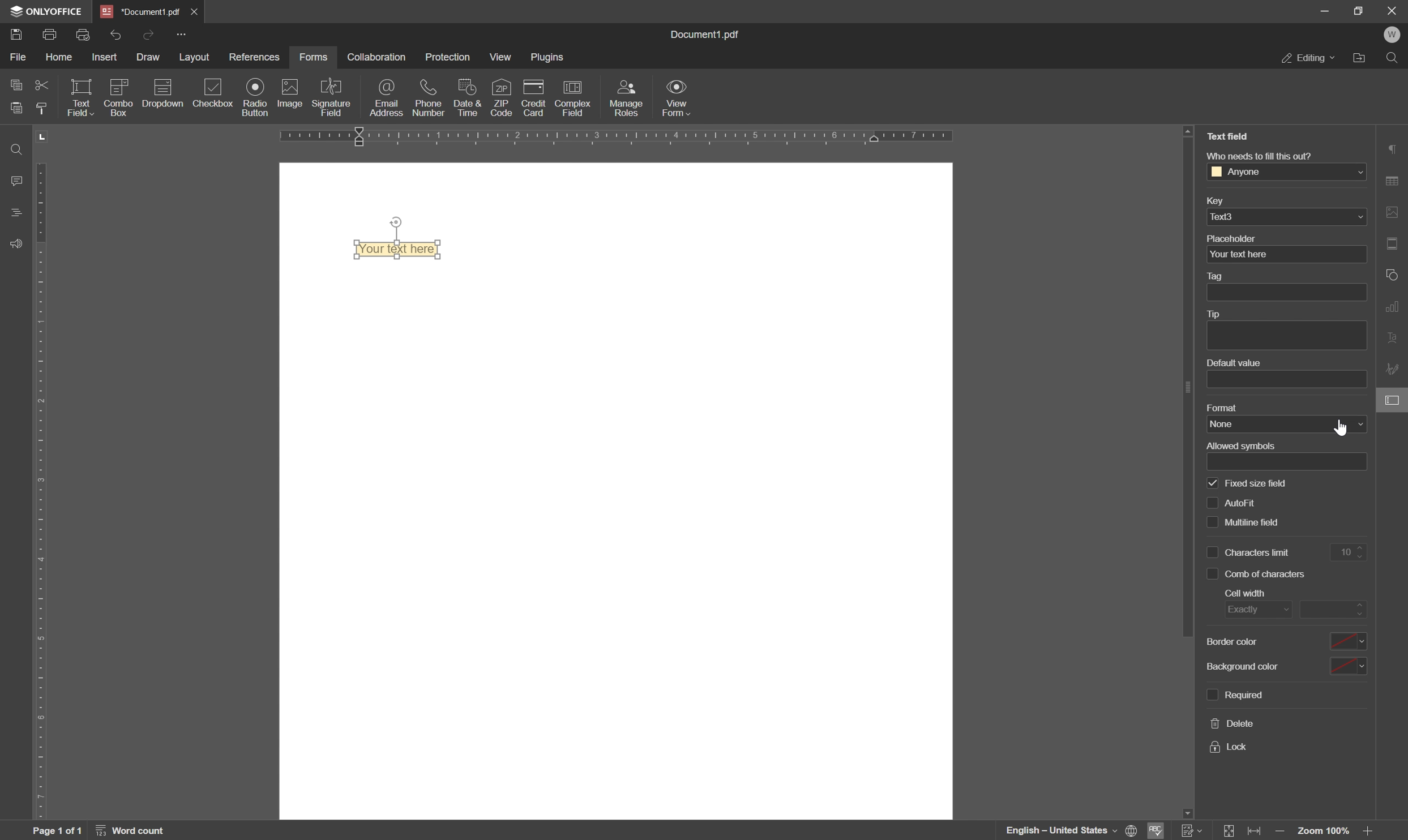 Image resolution: width=1408 pixels, height=840 pixels. Describe the element at coordinates (1254, 611) in the screenshot. I see `exactly` at that location.